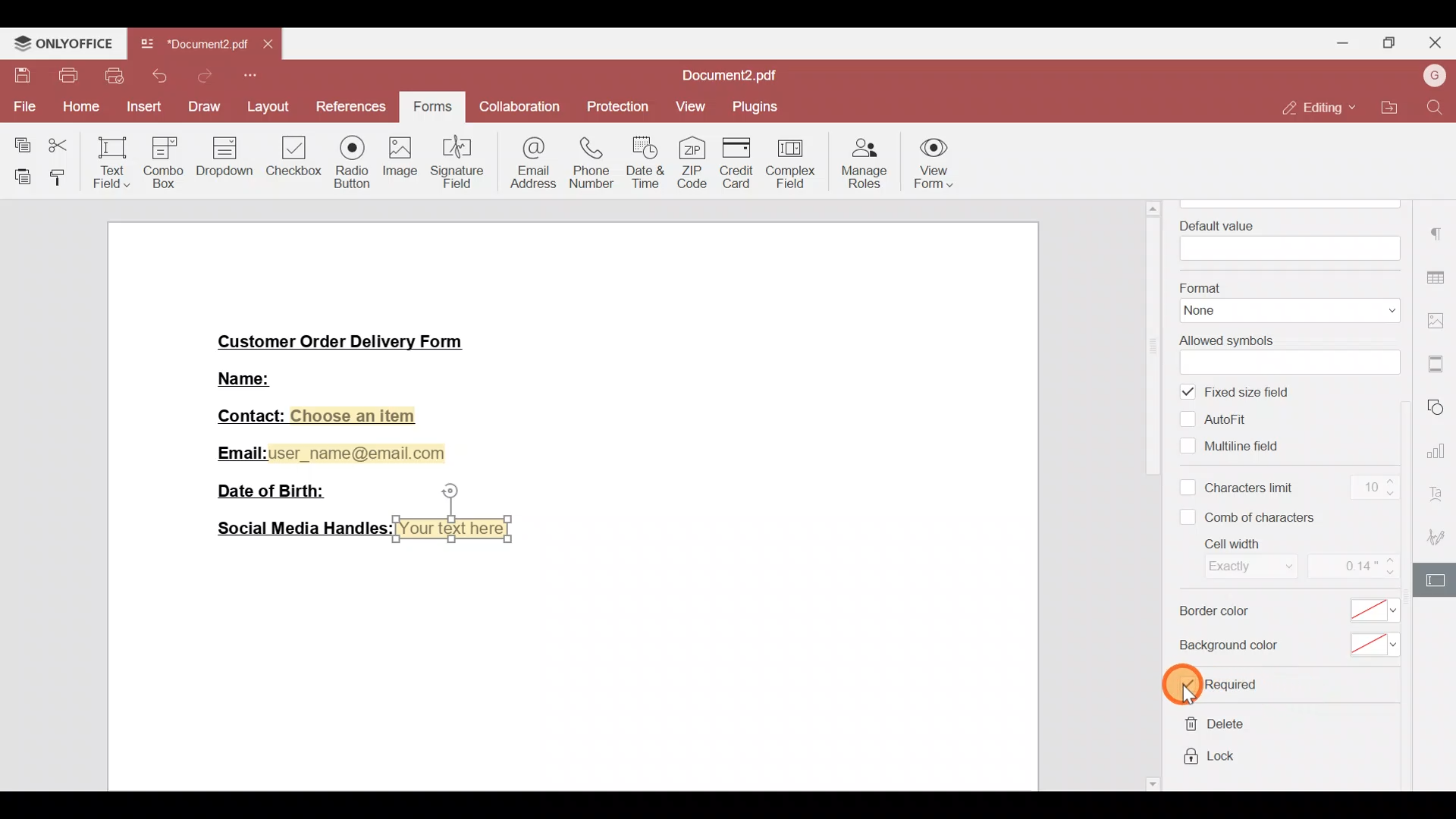 This screenshot has width=1456, height=819. I want to click on Font settings, so click(1442, 493).